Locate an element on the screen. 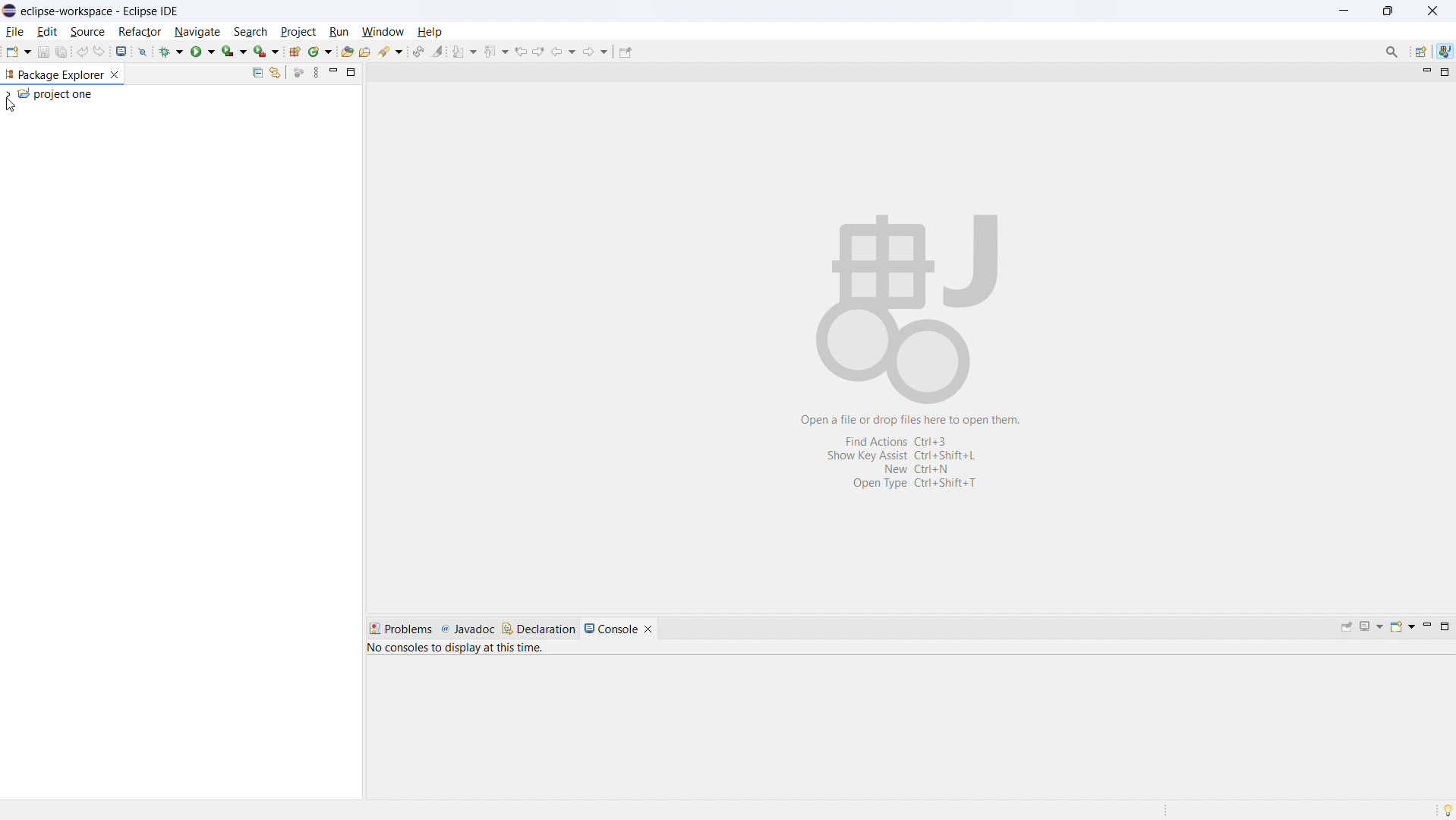  project one is located at coordinates (56, 95).